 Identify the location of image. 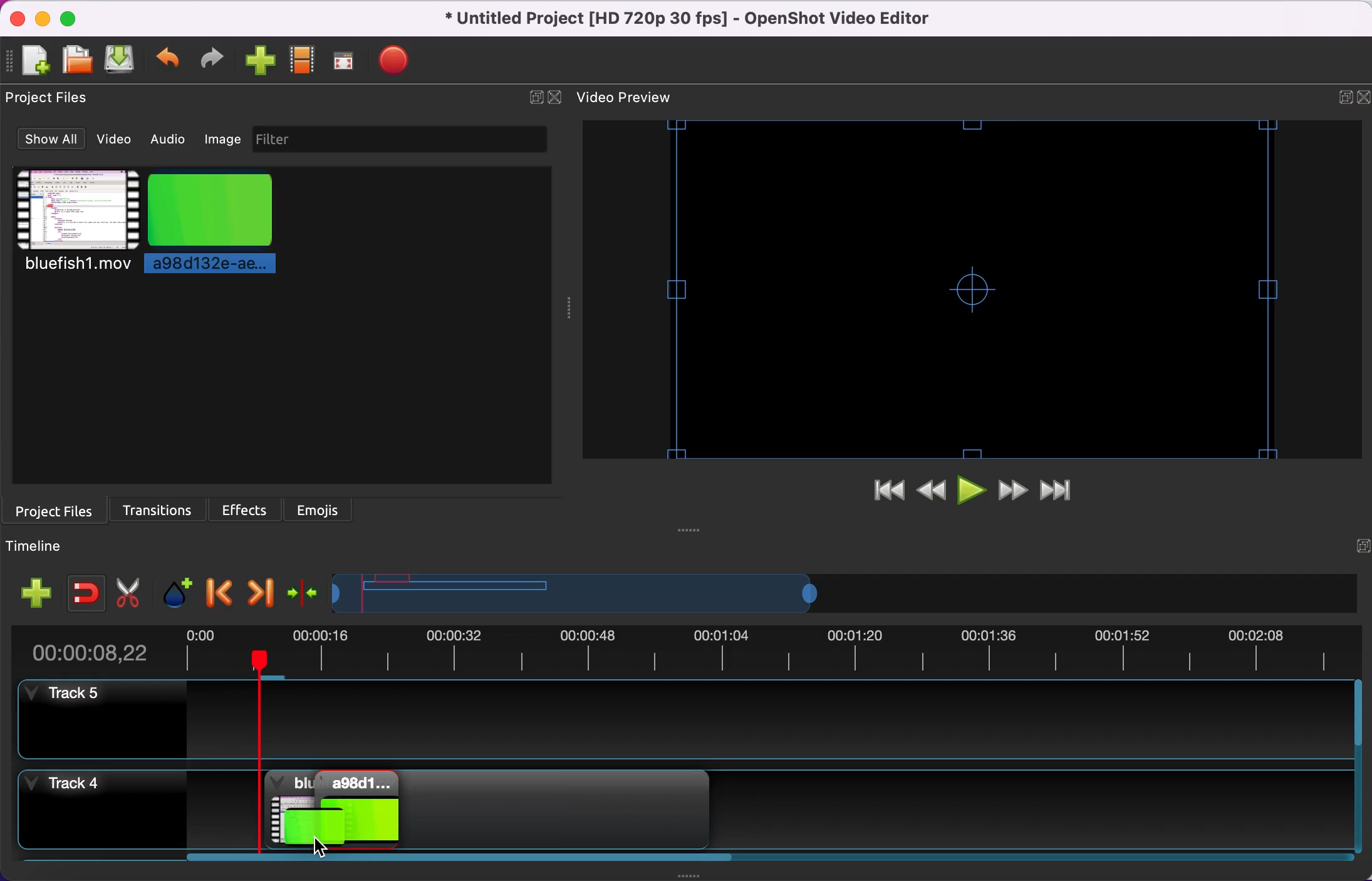
(221, 138).